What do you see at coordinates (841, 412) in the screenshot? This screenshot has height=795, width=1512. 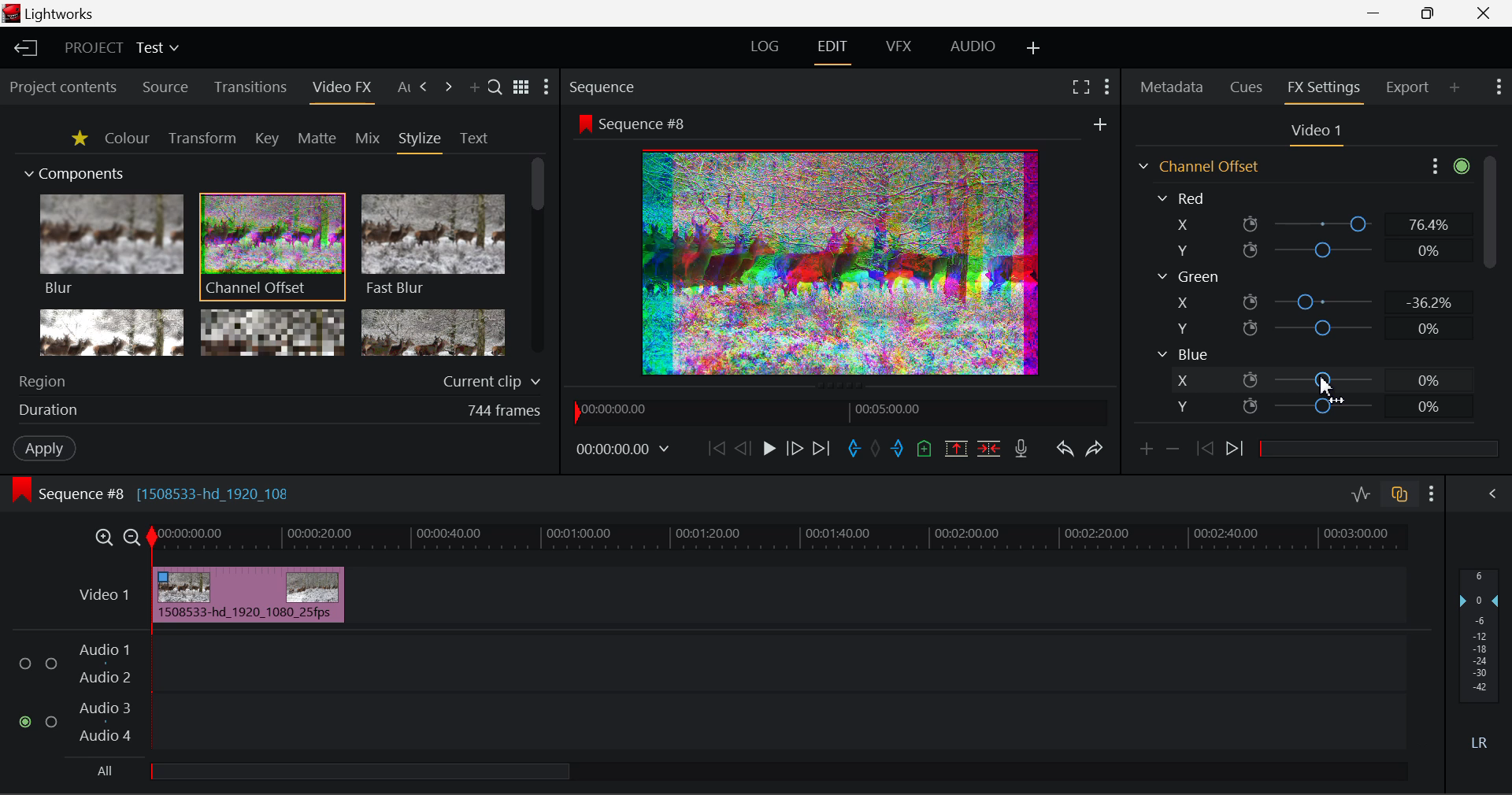 I see `Project Timeline Navigator` at bounding box center [841, 412].